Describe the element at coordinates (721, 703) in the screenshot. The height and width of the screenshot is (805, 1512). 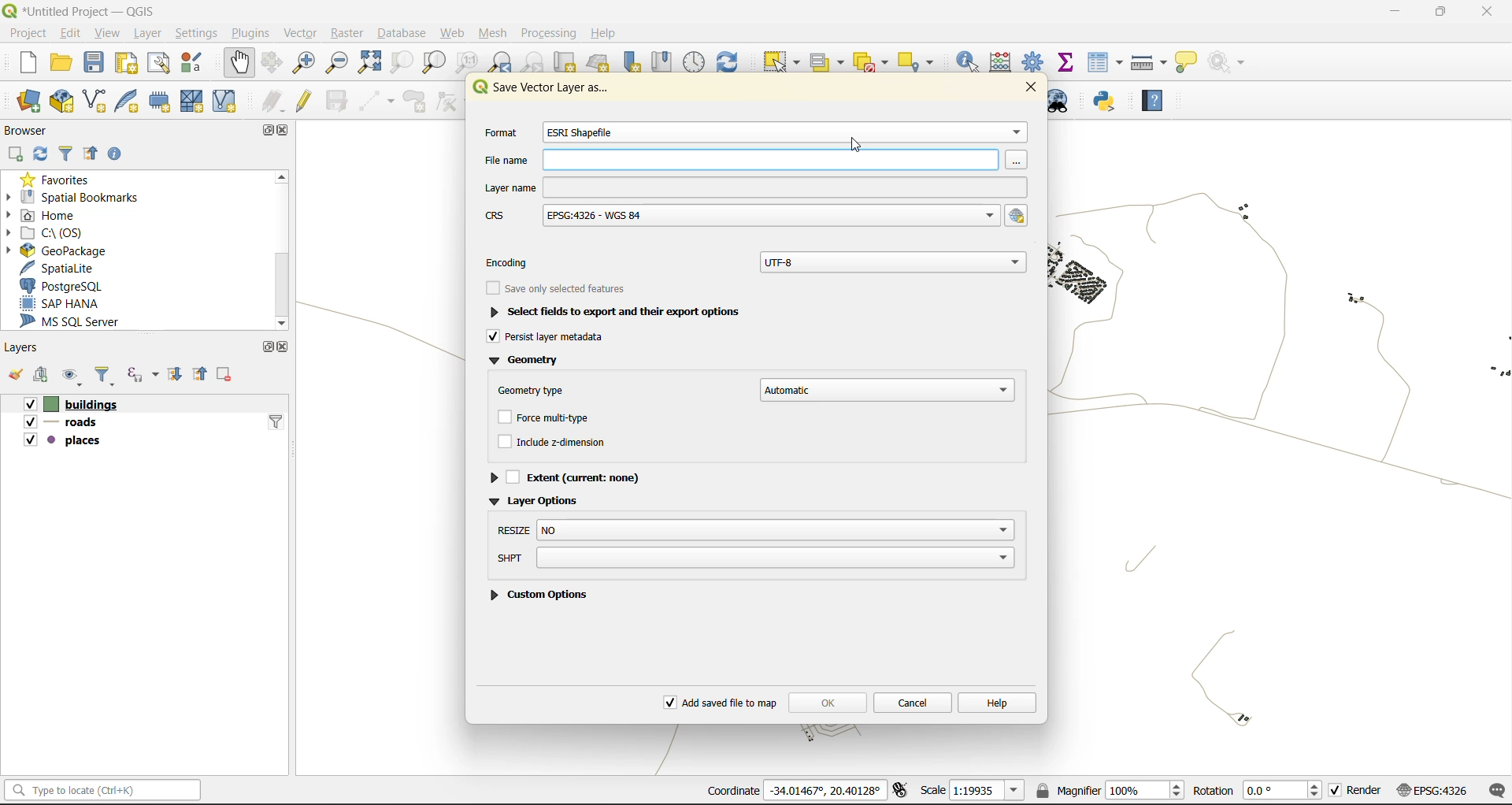
I see `add saved file to map` at that location.